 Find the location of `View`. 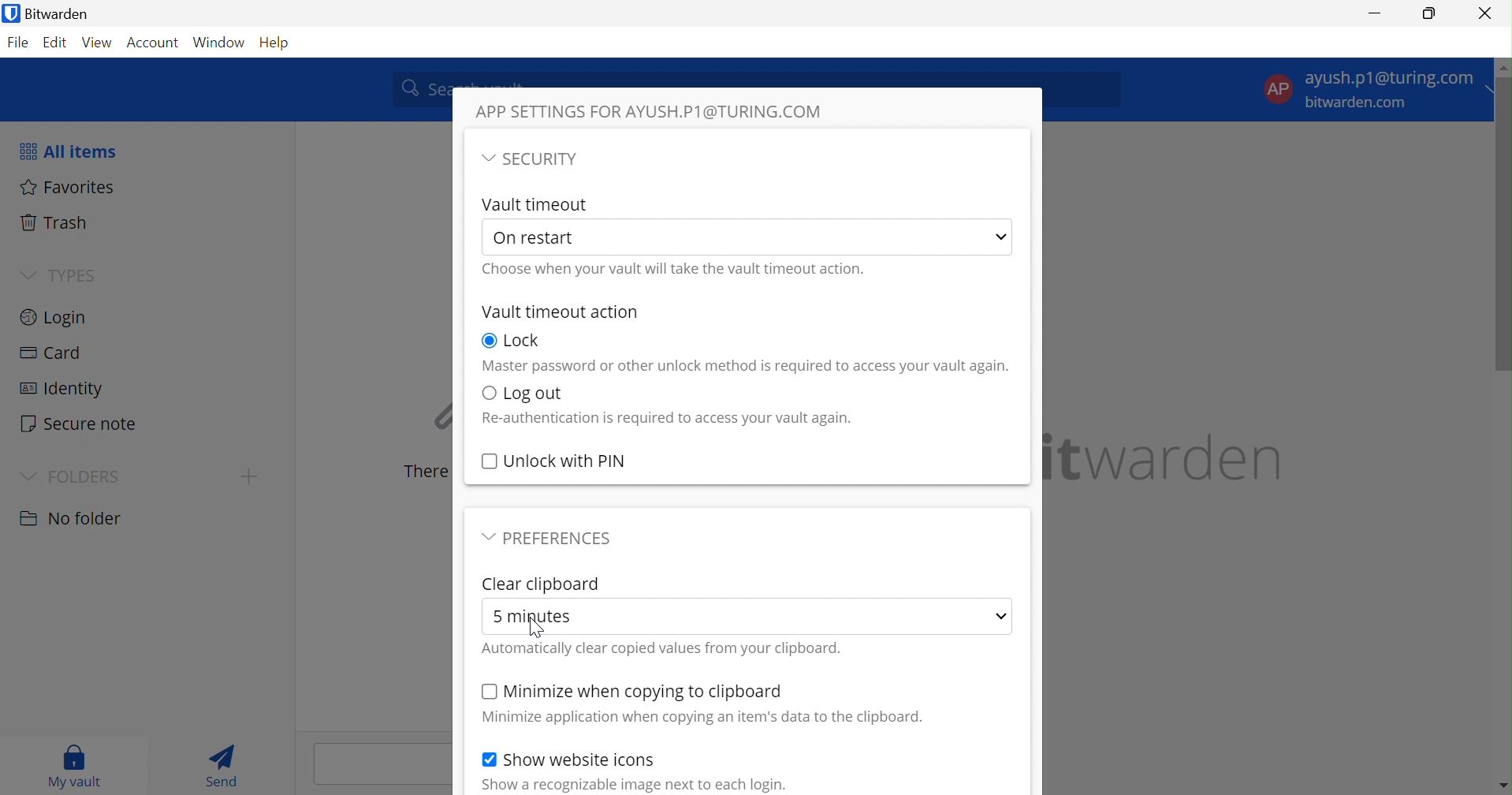

View is located at coordinates (99, 42).